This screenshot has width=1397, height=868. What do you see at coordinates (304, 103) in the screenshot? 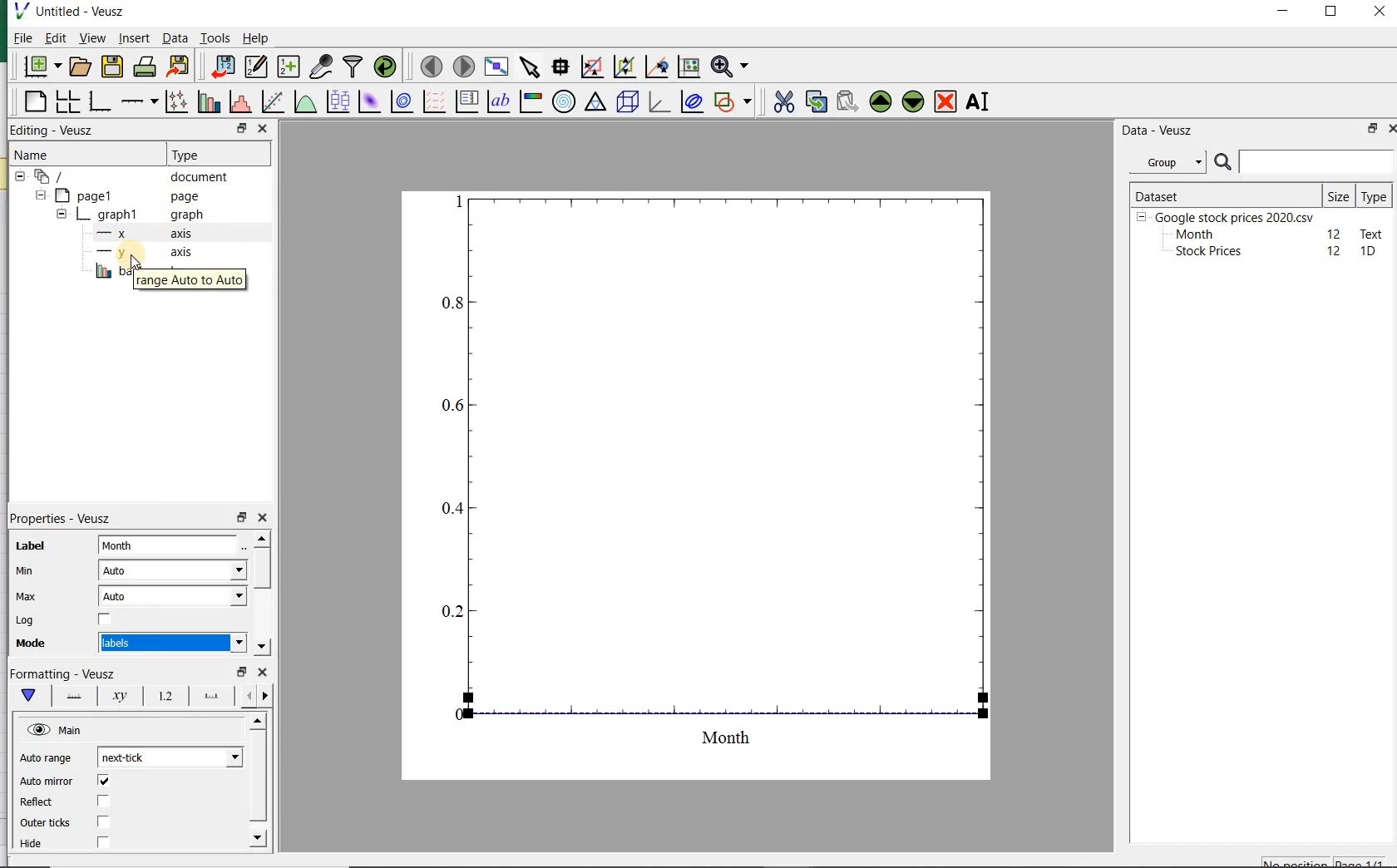
I see `plot a function` at bounding box center [304, 103].